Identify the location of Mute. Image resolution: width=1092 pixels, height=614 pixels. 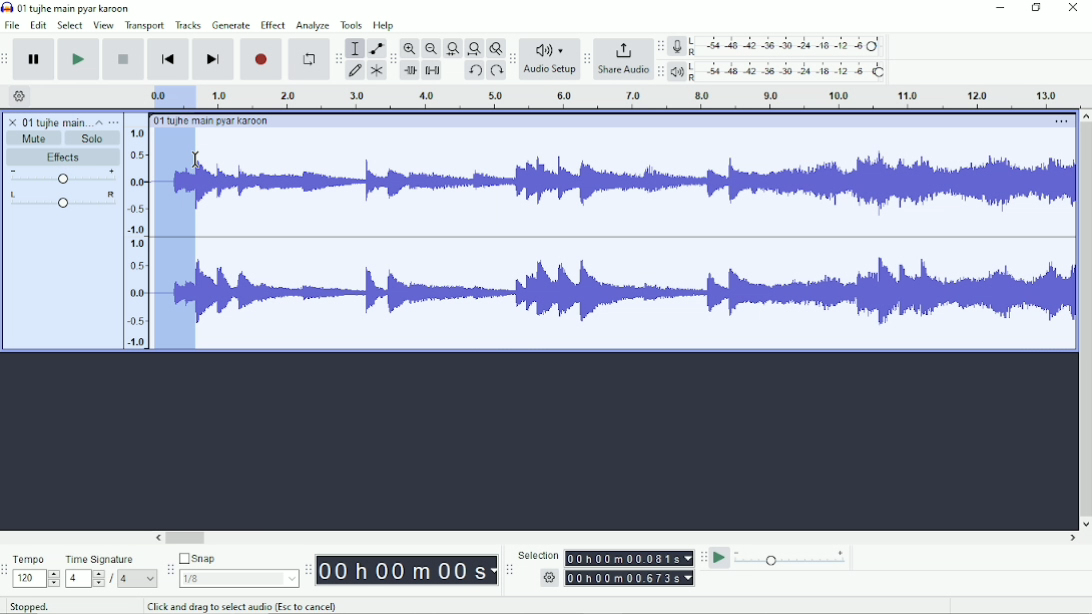
(35, 138).